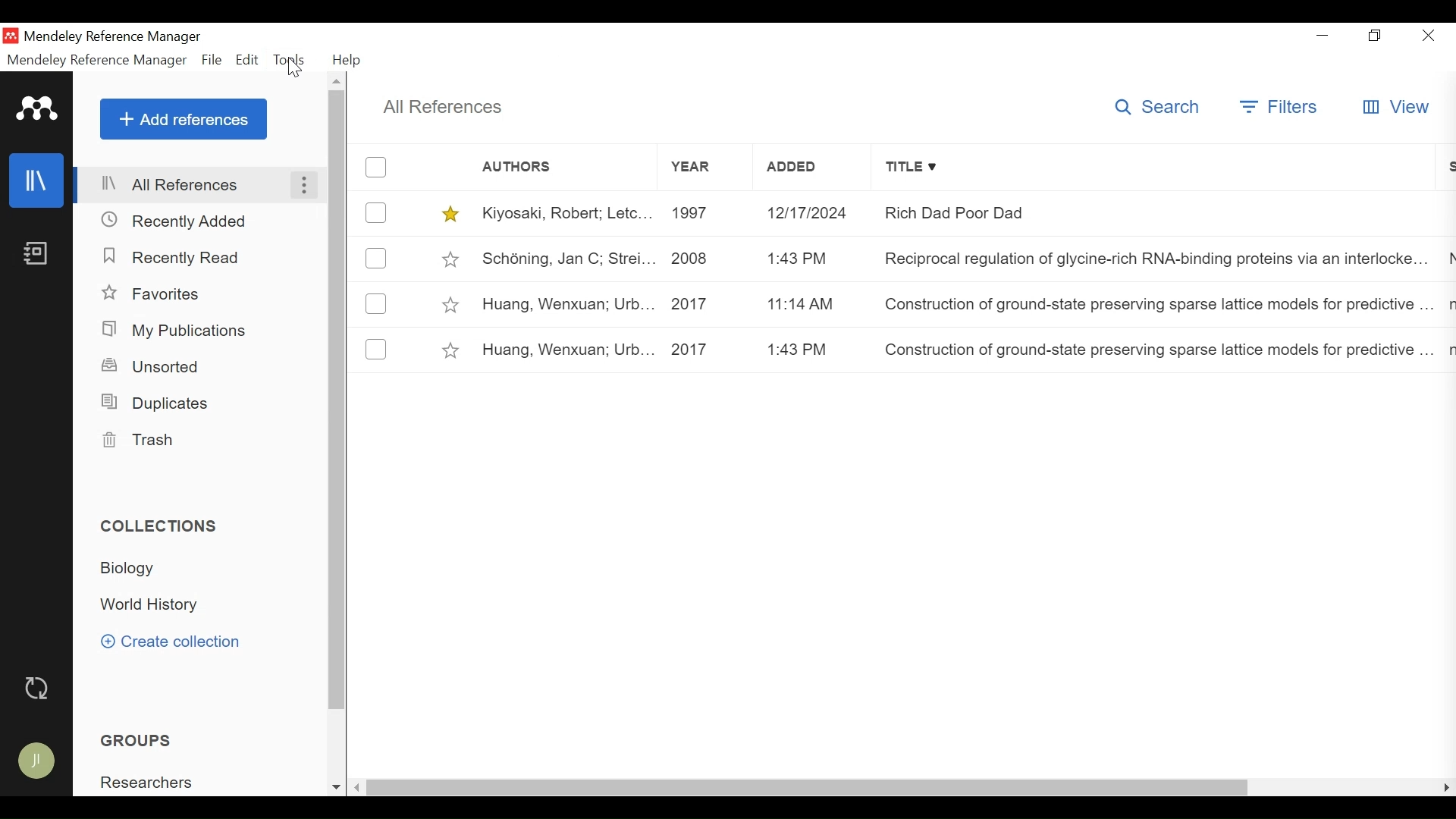 The width and height of the screenshot is (1456, 819). Describe the element at coordinates (807, 212) in the screenshot. I see `12/17/2014` at that location.